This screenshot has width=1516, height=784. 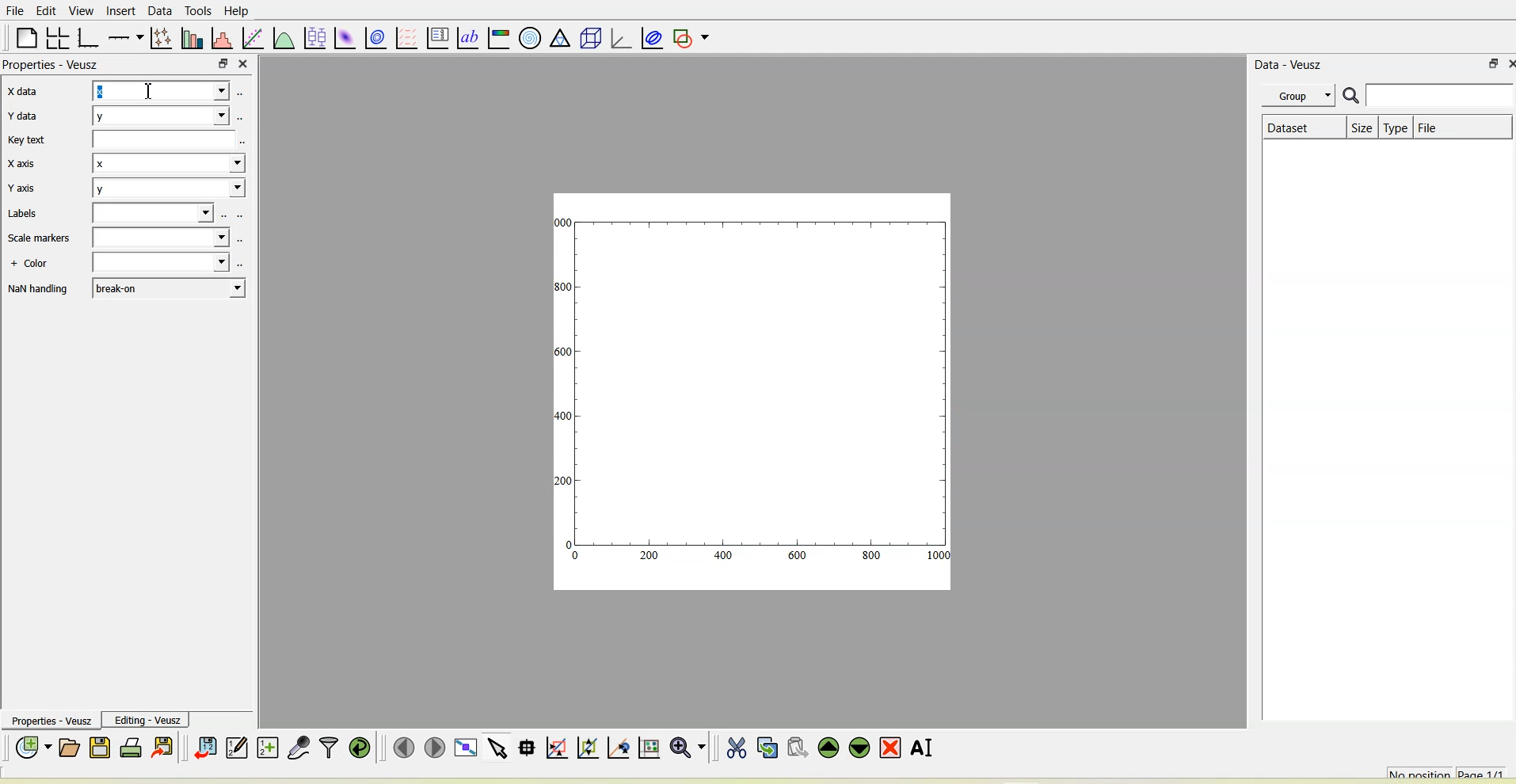 I want to click on Insert, so click(x=120, y=10).